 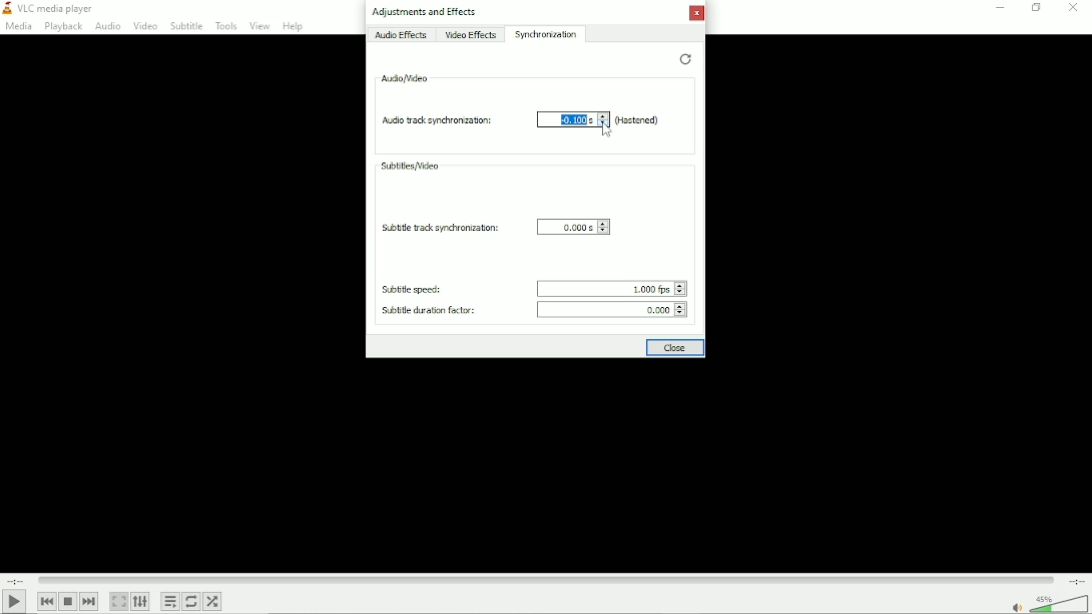 What do you see at coordinates (440, 228) in the screenshot?
I see `Subtitle track synchronization` at bounding box center [440, 228].